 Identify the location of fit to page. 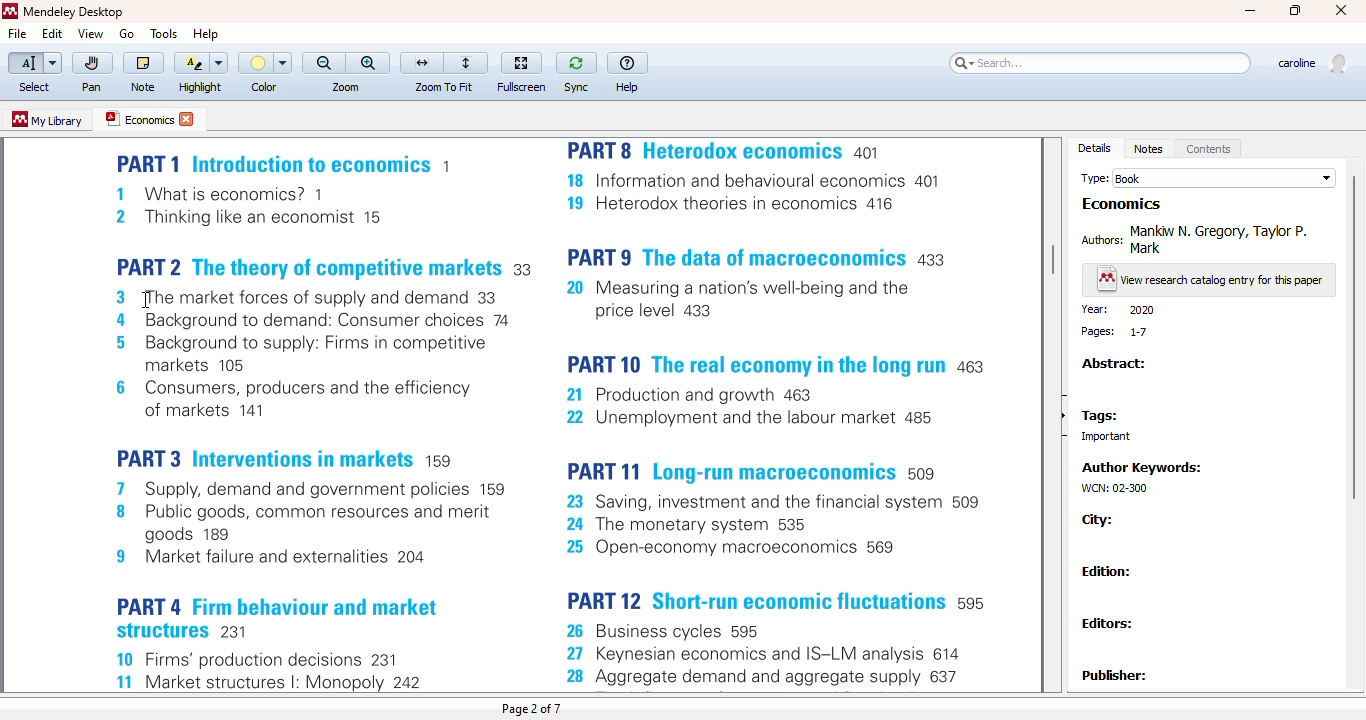
(468, 63).